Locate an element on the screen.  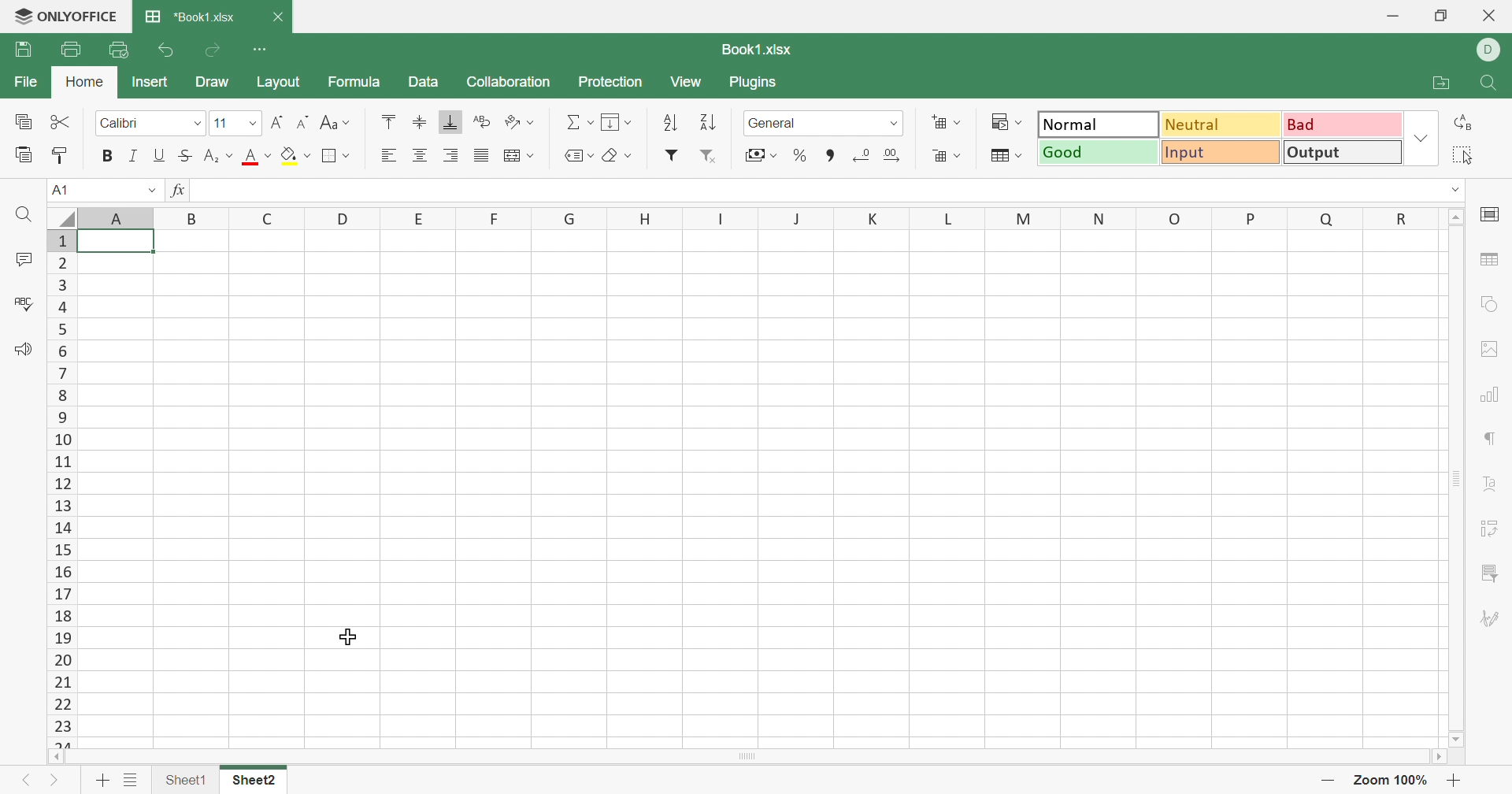
Normal is located at coordinates (1097, 124).